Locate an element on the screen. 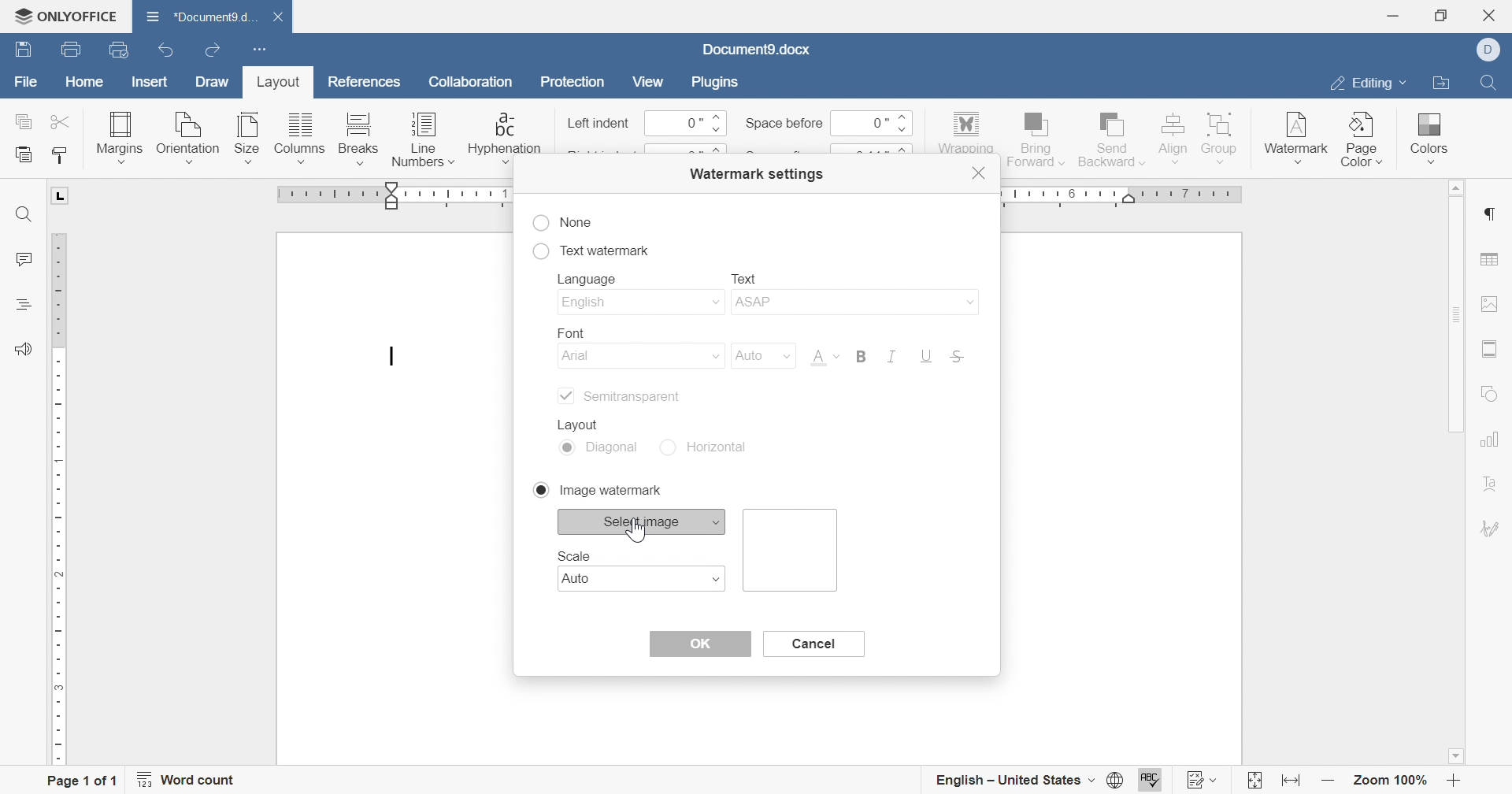  document name is located at coordinates (755, 50).